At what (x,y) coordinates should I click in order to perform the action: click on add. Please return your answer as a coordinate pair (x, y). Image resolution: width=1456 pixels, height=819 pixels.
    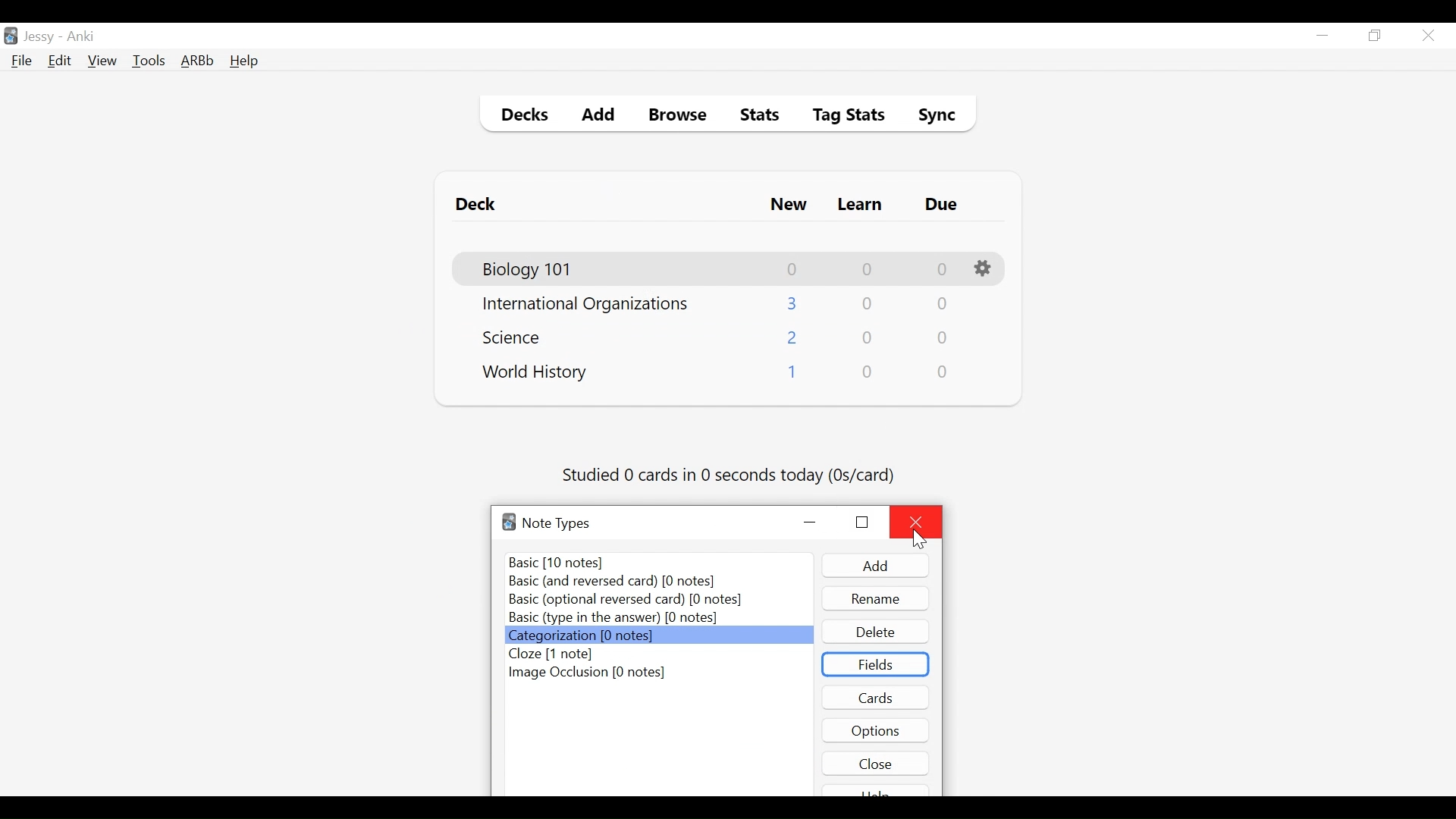
    Looking at the image, I should click on (875, 566).